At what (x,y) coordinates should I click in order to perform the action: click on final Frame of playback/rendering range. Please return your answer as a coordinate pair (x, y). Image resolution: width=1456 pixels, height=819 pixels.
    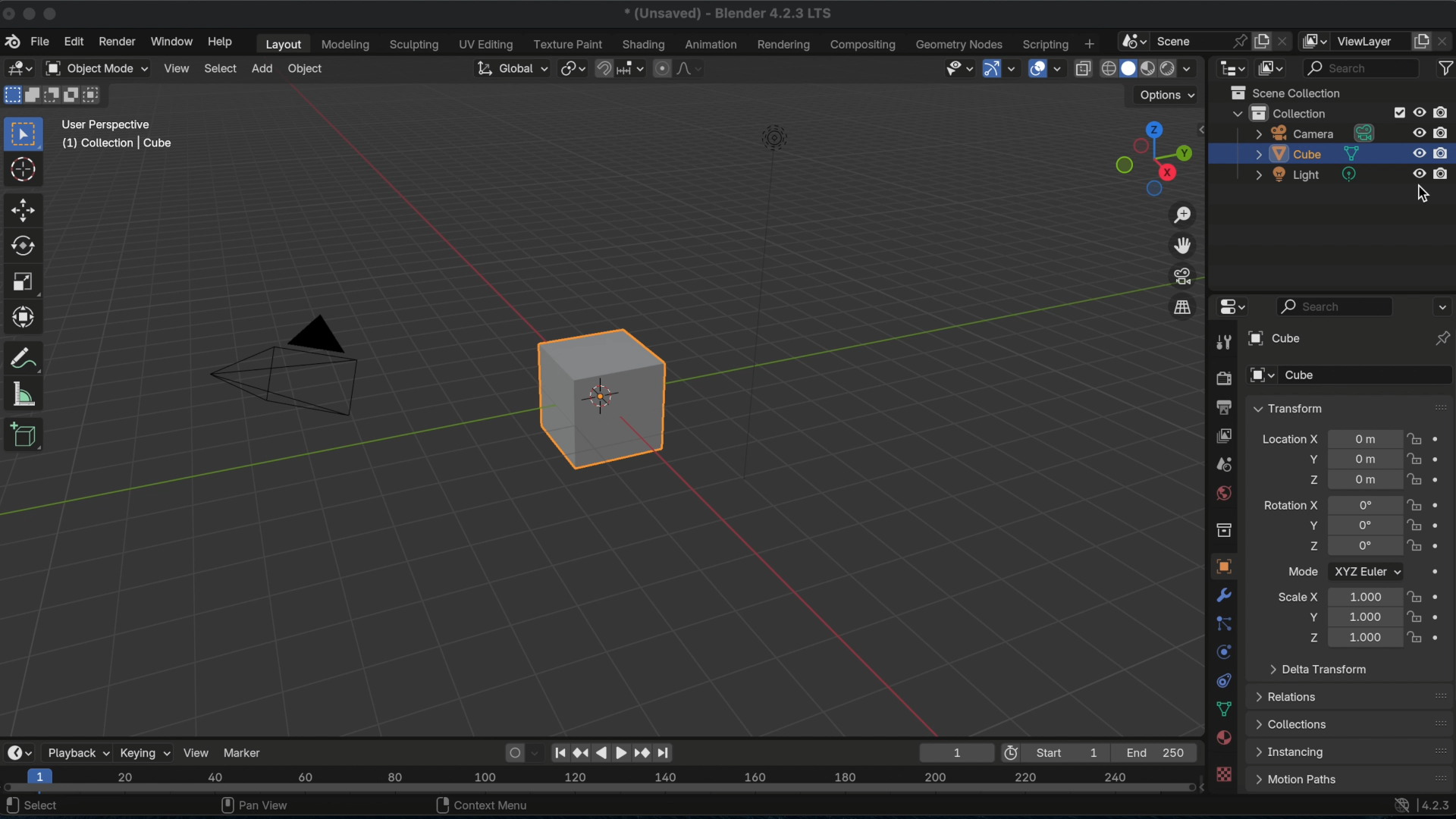
    Looking at the image, I should click on (1158, 752).